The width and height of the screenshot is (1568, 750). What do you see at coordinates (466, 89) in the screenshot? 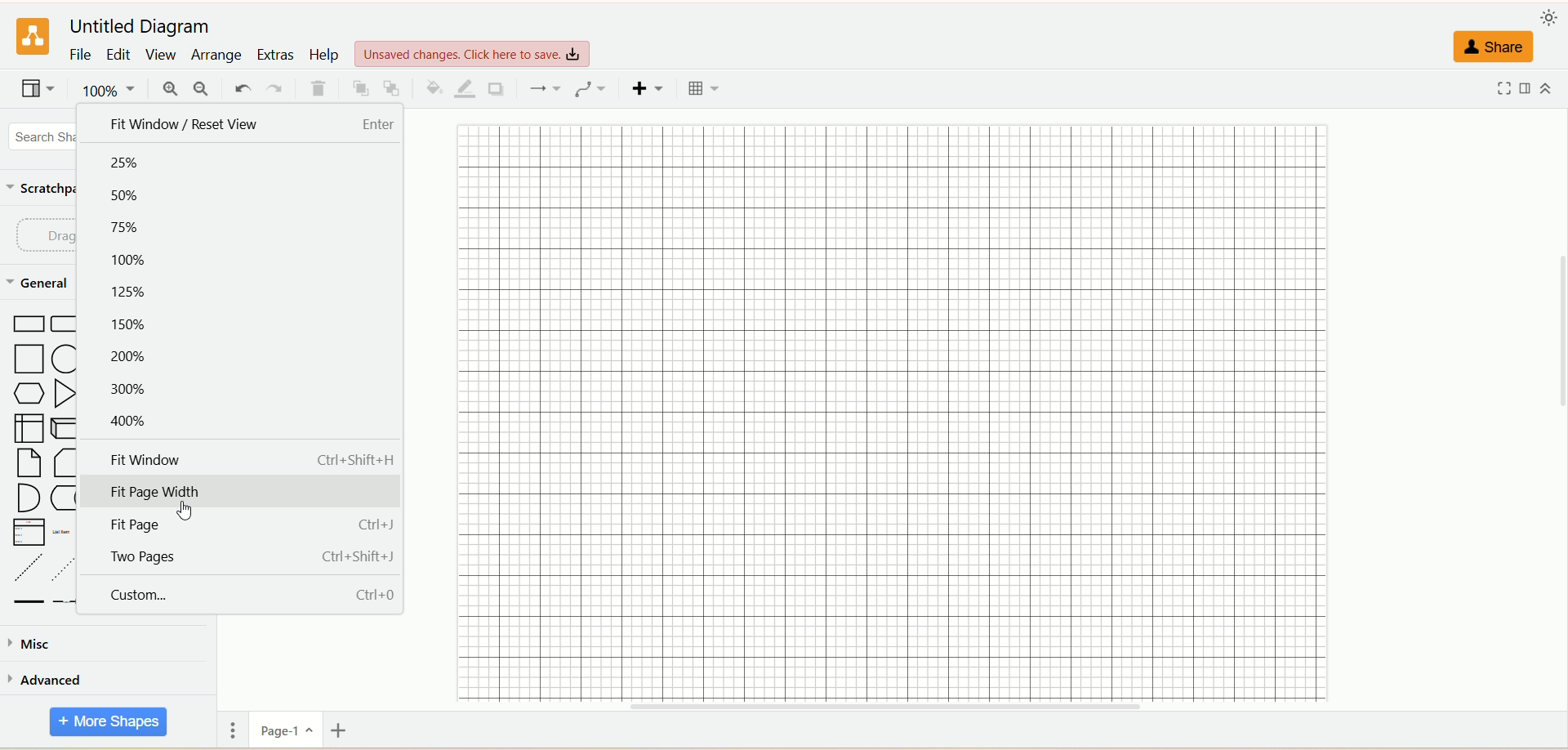
I see `line color` at bounding box center [466, 89].